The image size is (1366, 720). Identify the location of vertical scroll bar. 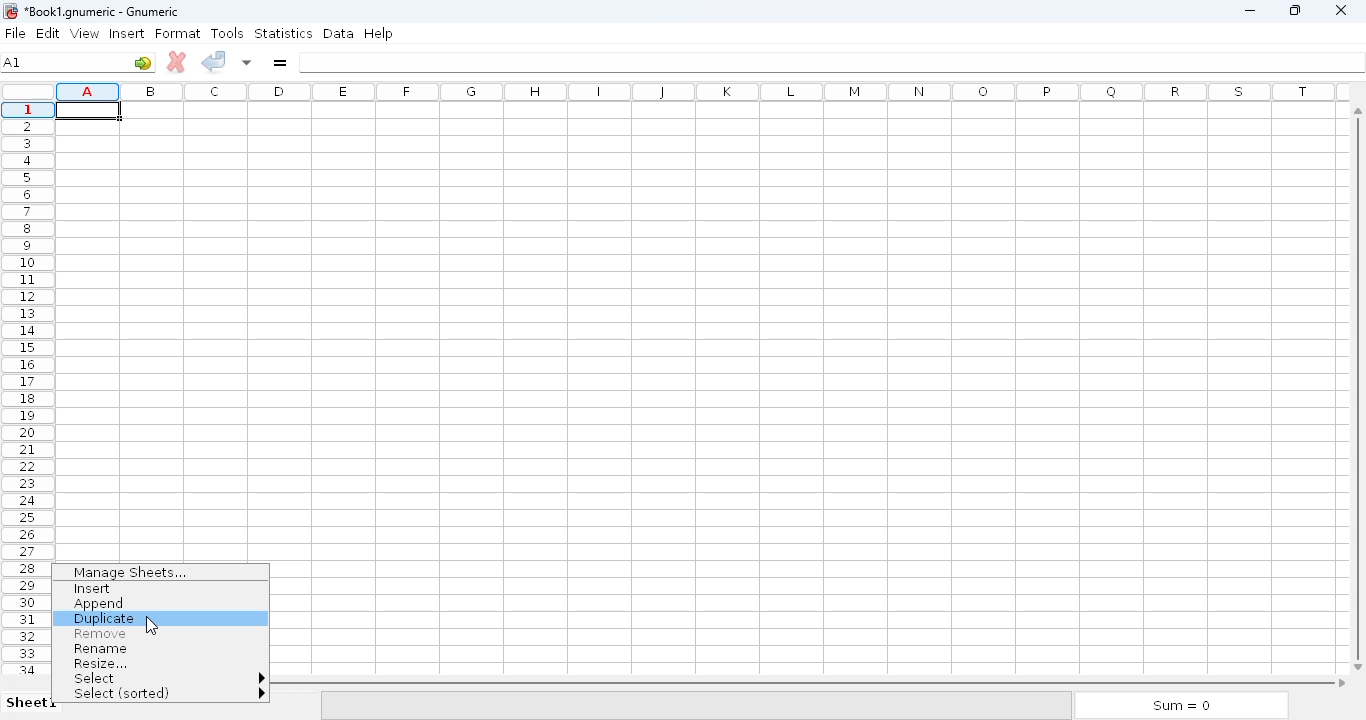
(1355, 384).